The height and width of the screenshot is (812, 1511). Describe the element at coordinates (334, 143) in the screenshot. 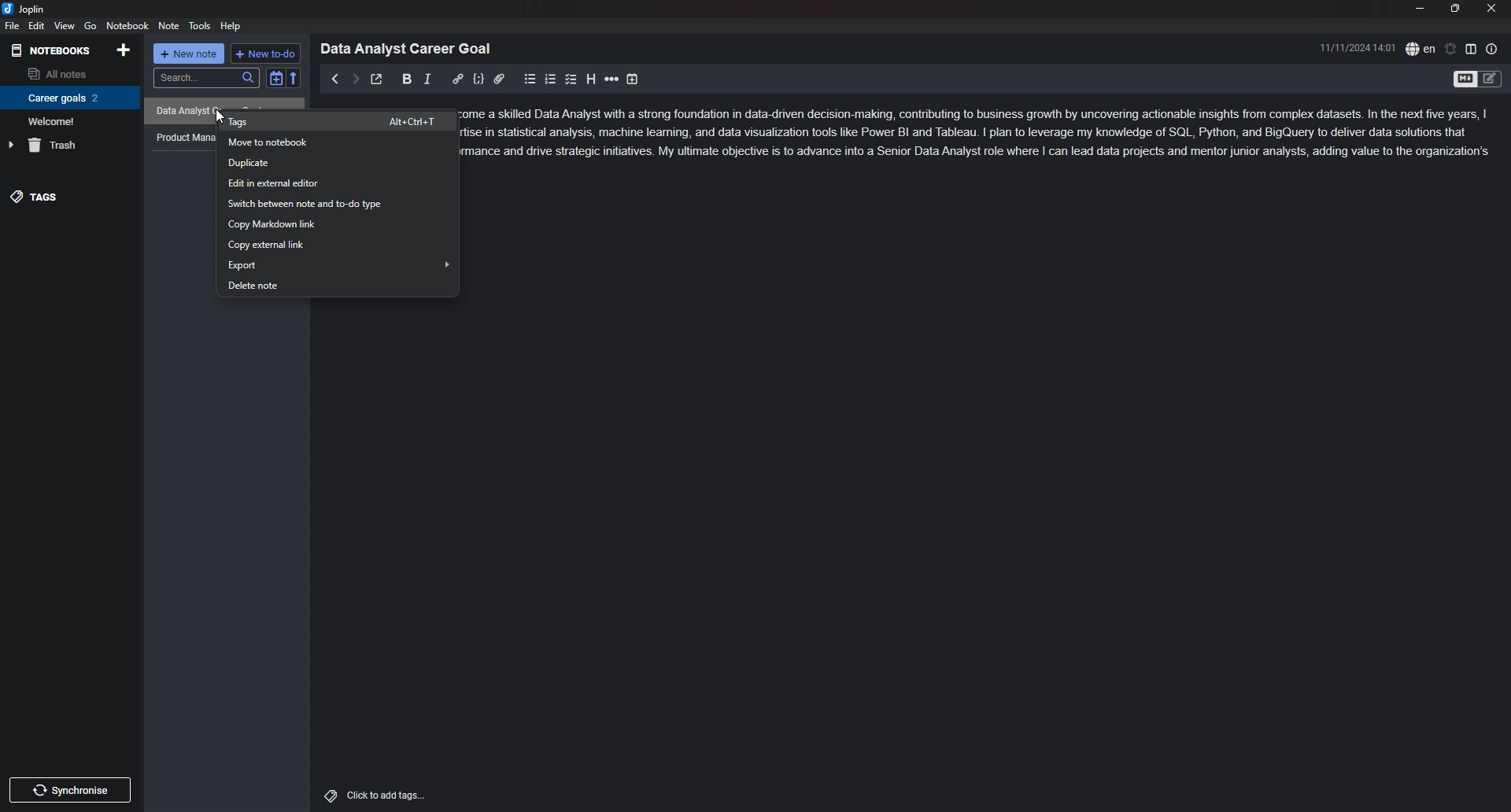

I see `move to notebook` at that location.